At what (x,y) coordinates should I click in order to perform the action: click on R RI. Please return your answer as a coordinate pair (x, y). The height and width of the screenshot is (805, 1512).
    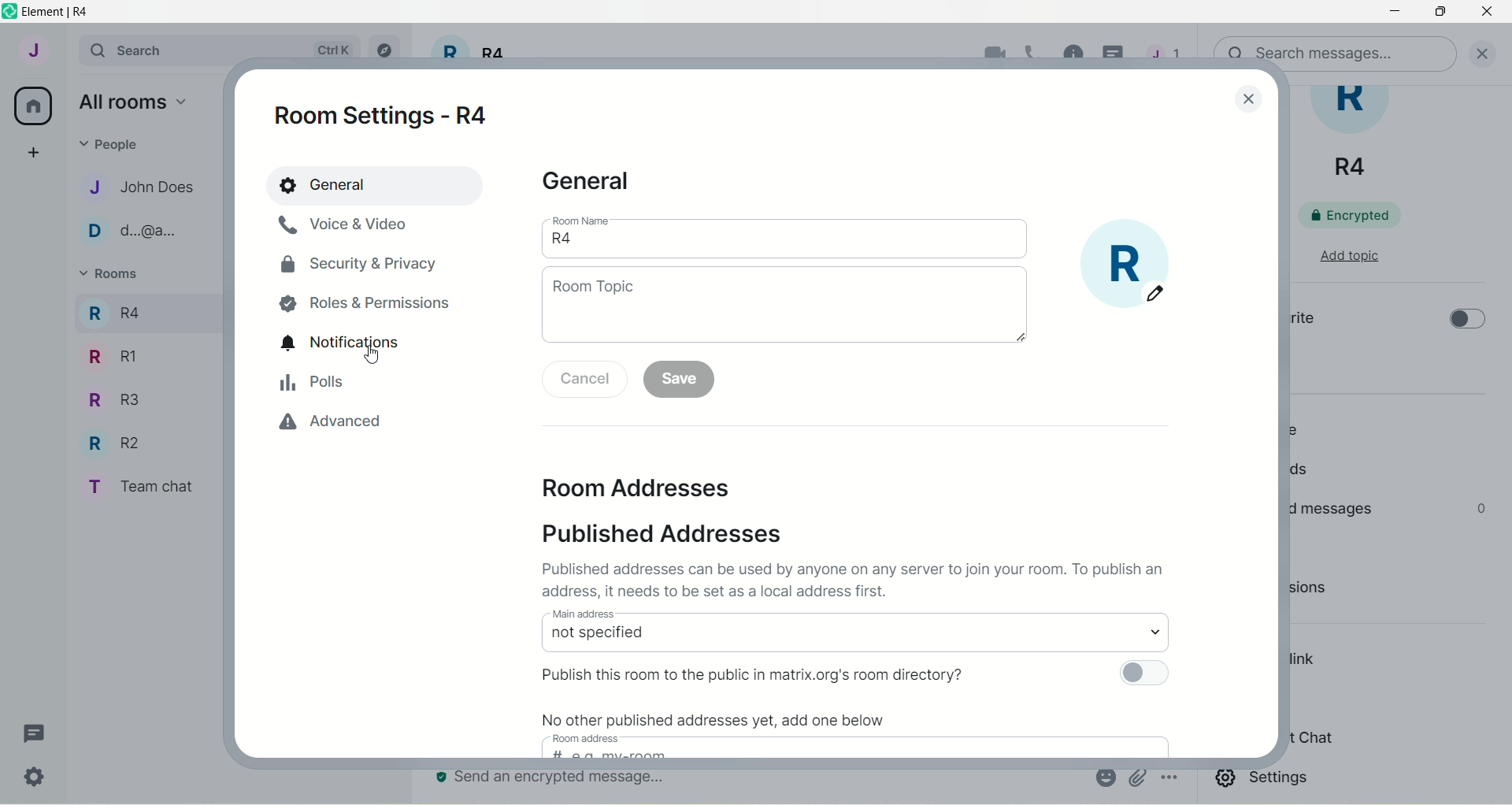
    Looking at the image, I should click on (113, 356).